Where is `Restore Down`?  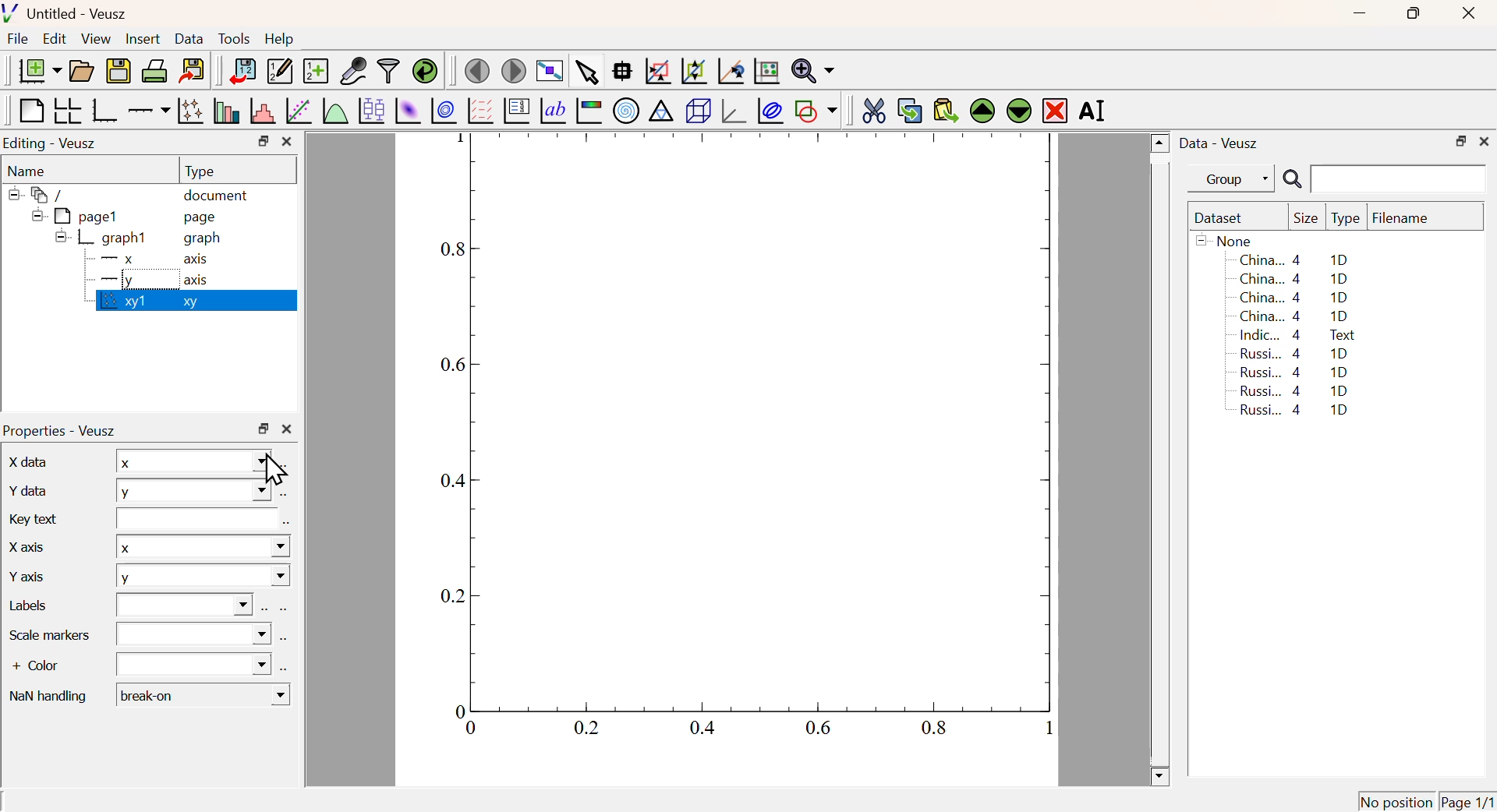 Restore Down is located at coordinates (1411, 13).